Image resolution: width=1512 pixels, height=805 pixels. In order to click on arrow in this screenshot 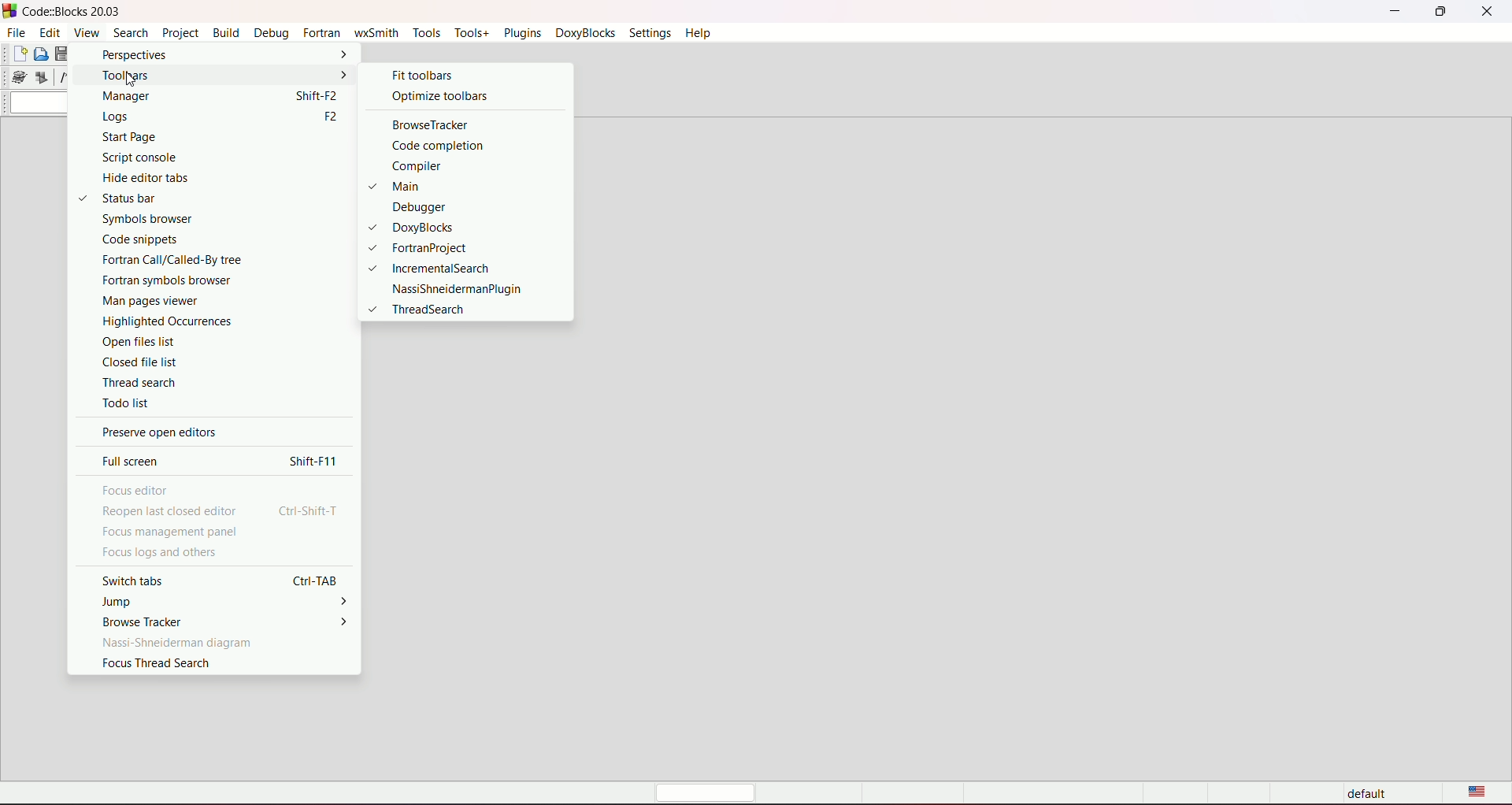, I will do `click(341, 54)`.